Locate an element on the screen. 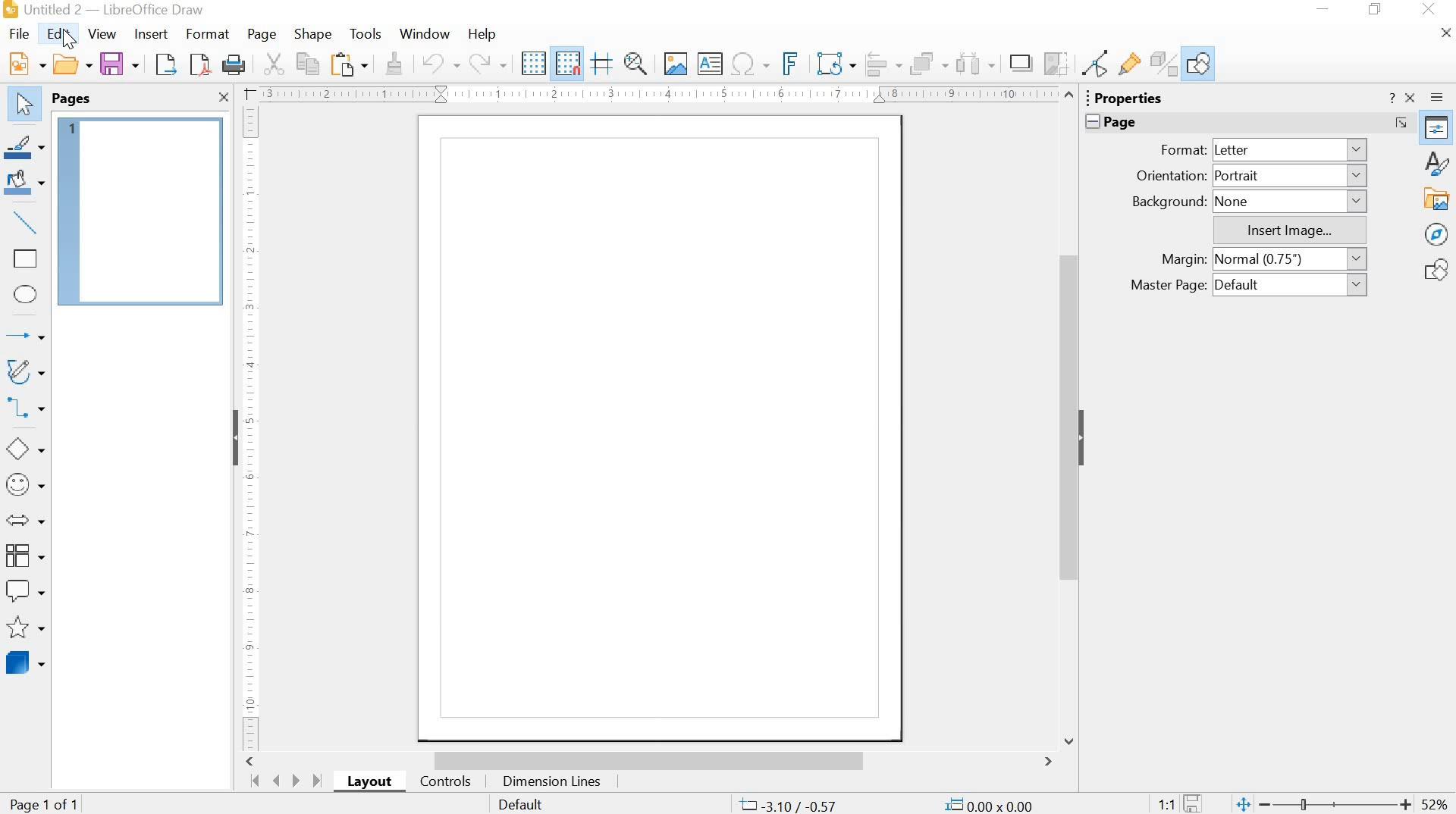  Clone Formatting (double click for multi-selection) is located at coordinates (394, 62).